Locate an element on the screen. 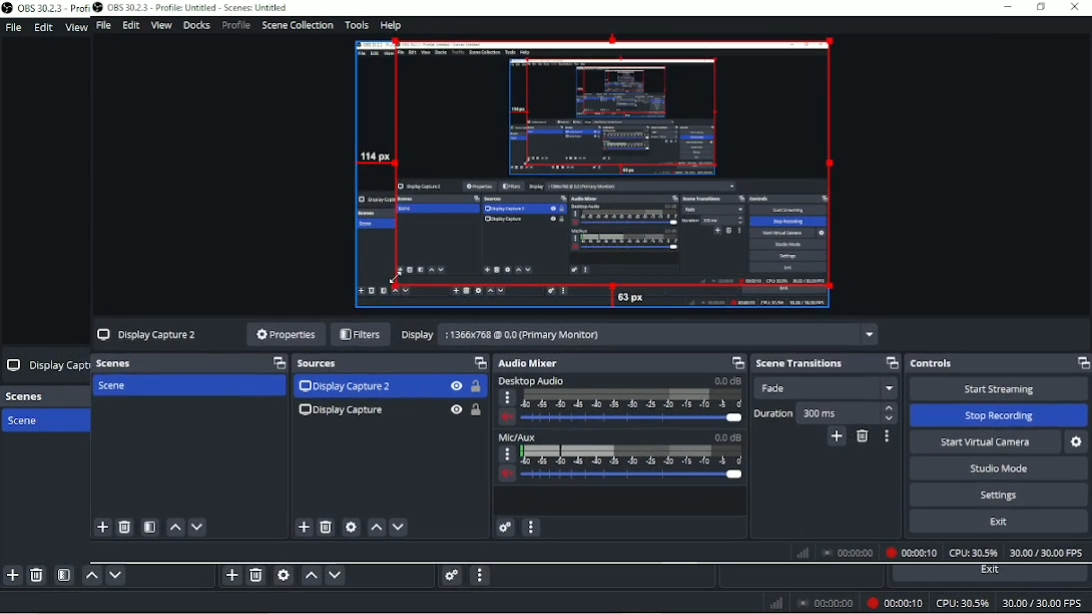  stepper buttons is located at coordinates (891, 413).